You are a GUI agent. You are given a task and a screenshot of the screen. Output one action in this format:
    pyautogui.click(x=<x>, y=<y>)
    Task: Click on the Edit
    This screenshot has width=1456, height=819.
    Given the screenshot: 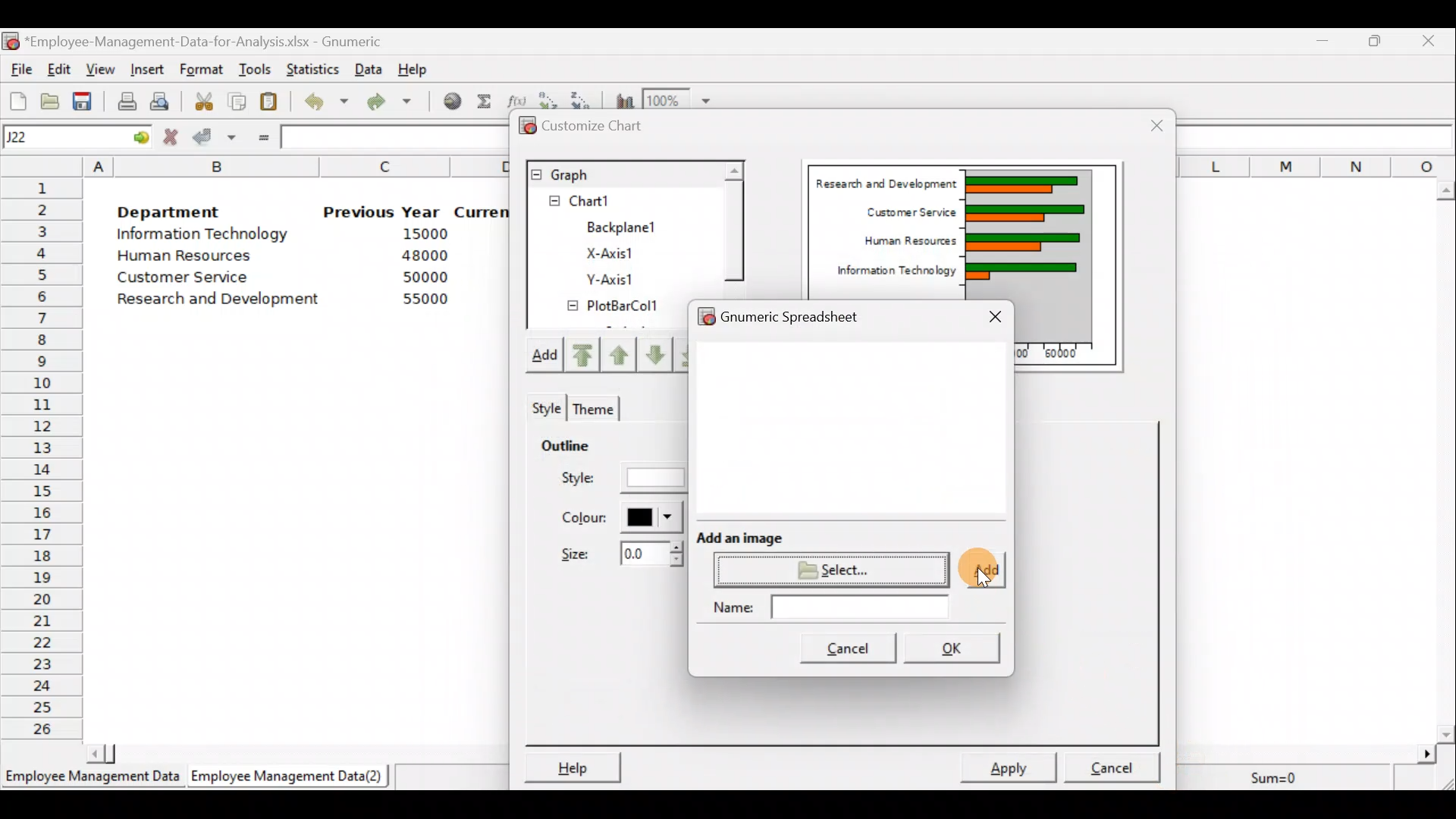 What is the action you would take?
    pyautogui.click(x=61, y=68)
    